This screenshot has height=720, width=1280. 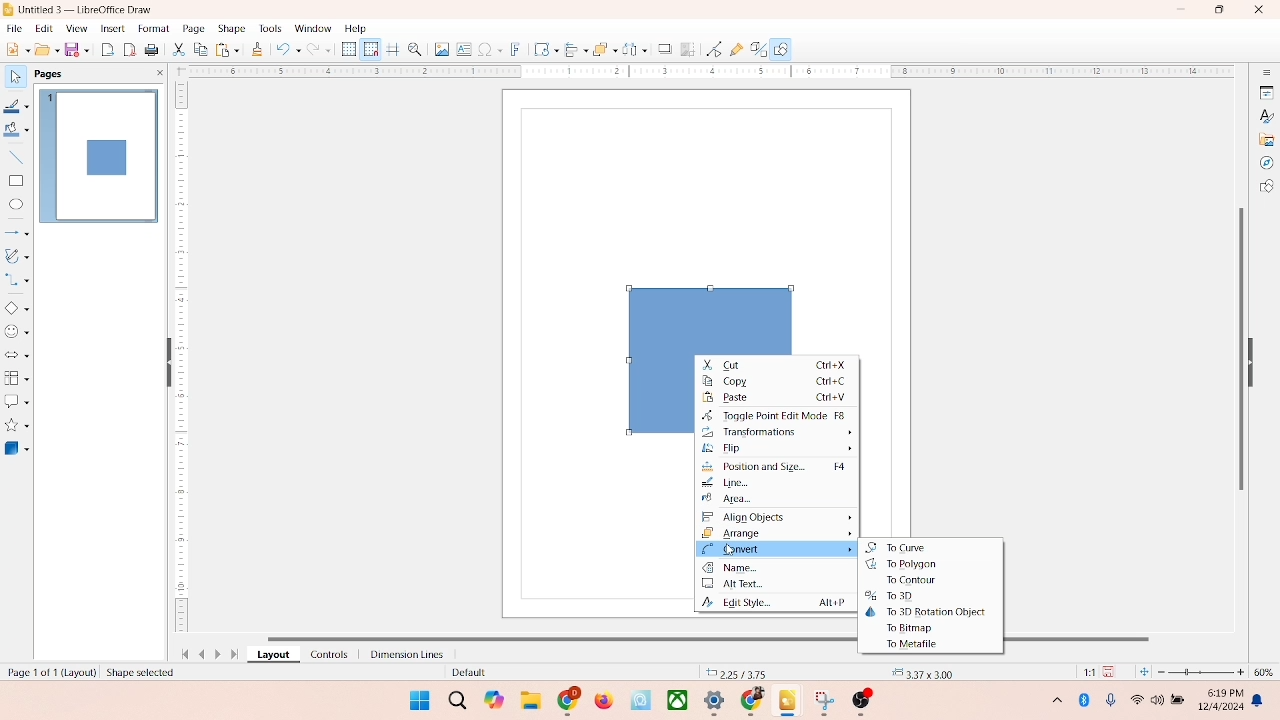 I want to click on to bitmap, so click(x=912, y=628).